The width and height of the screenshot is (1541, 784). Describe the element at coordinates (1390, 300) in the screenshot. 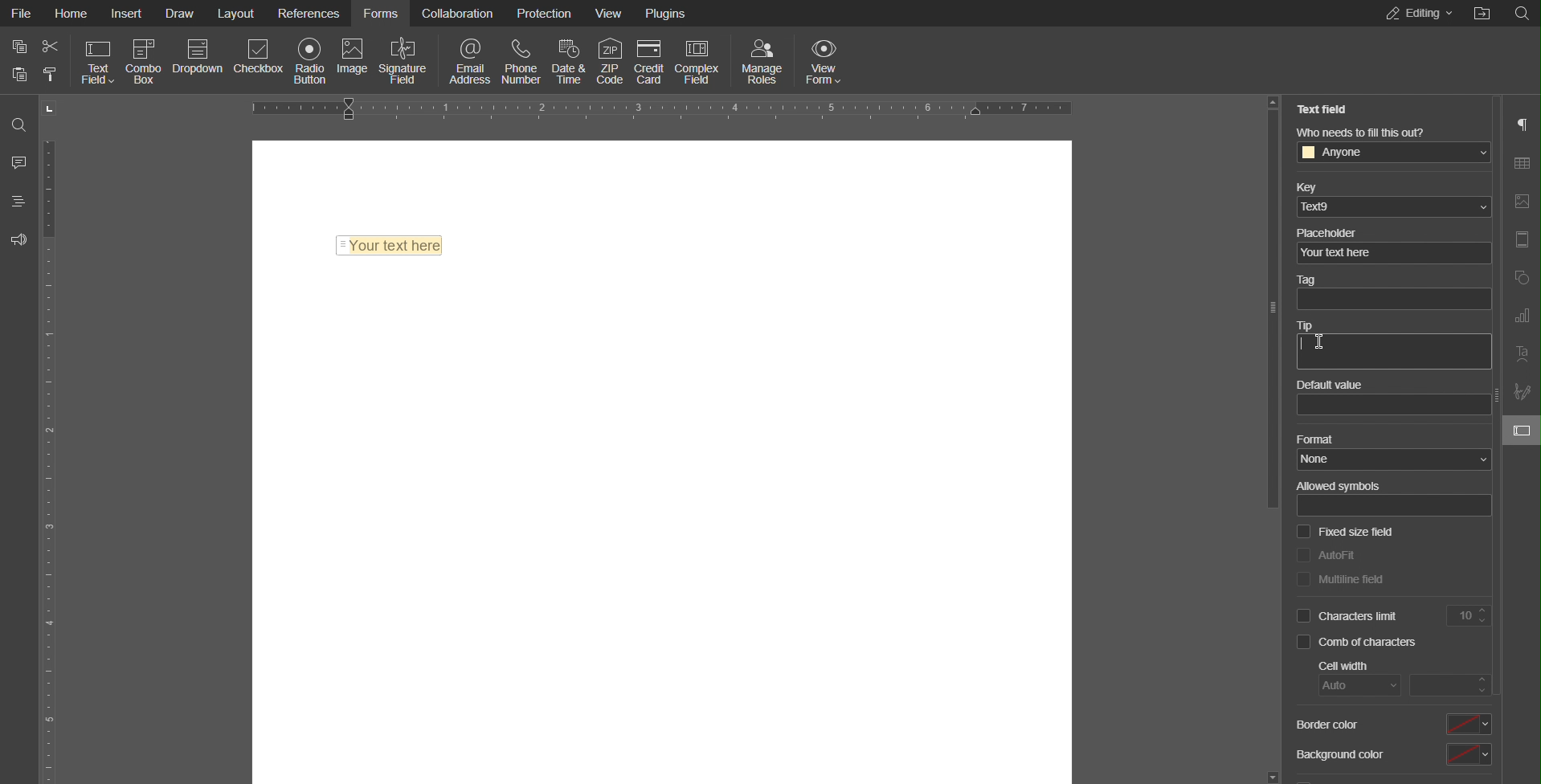

I see `textbox` at that location.